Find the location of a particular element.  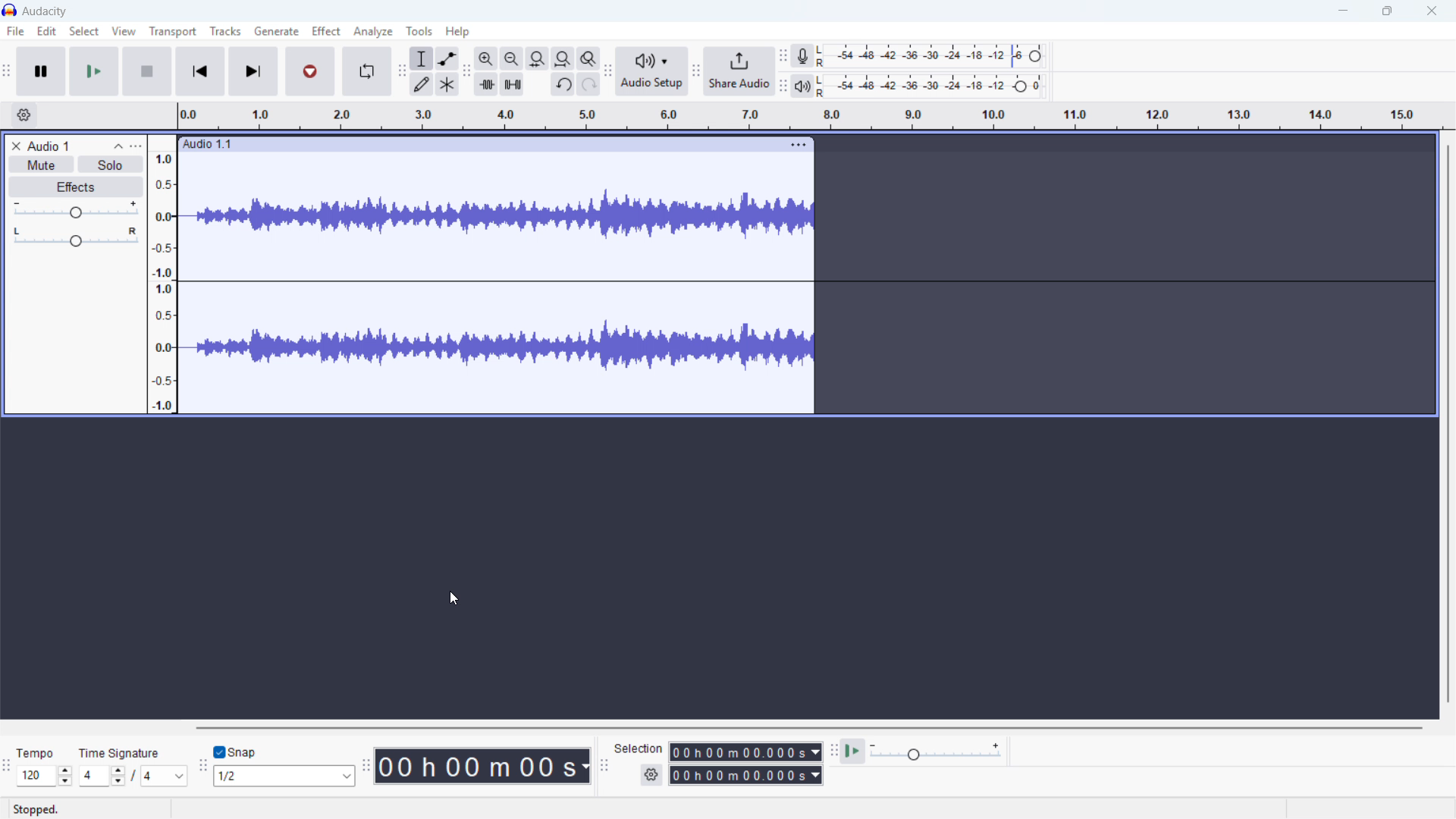

gain  is located at coordinates (74, 211).